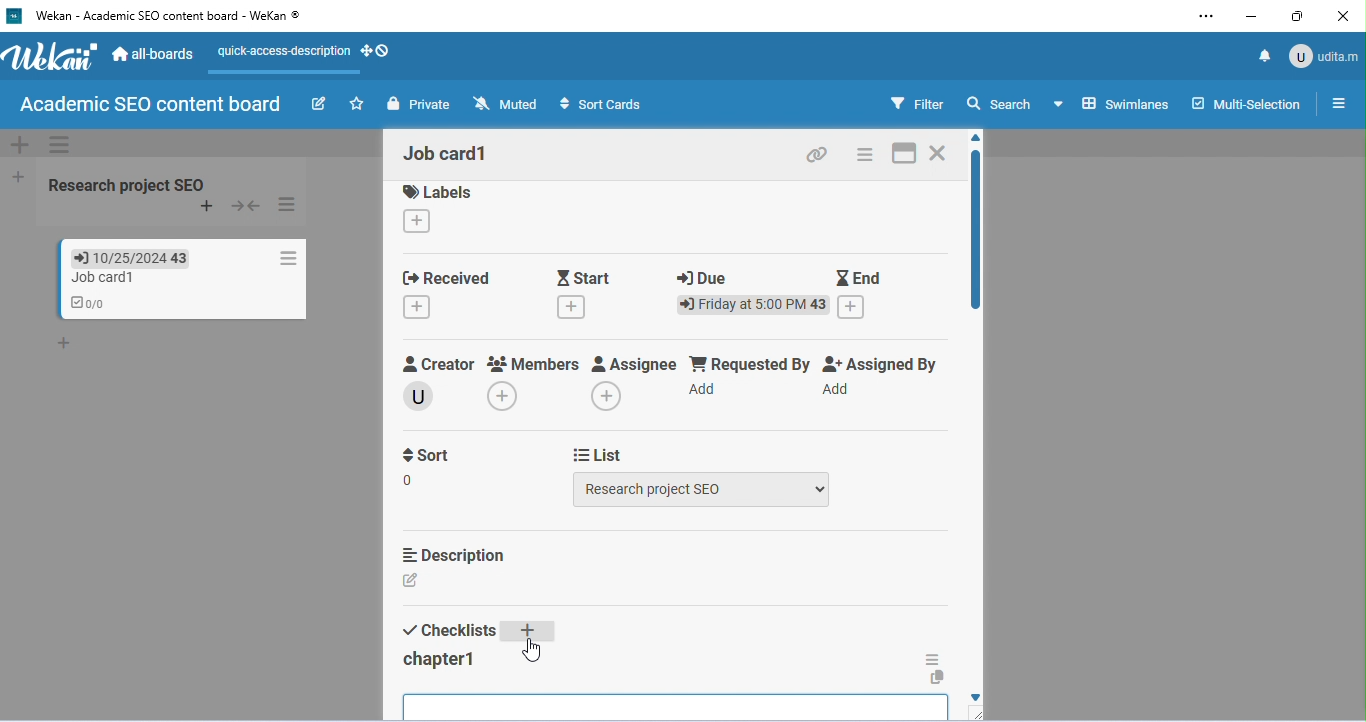 This screenshot has width=1366, height=722. What do you see at coordinates (508, 398) in the screenshot?
I see `add members` at bounding box center [508, 398].